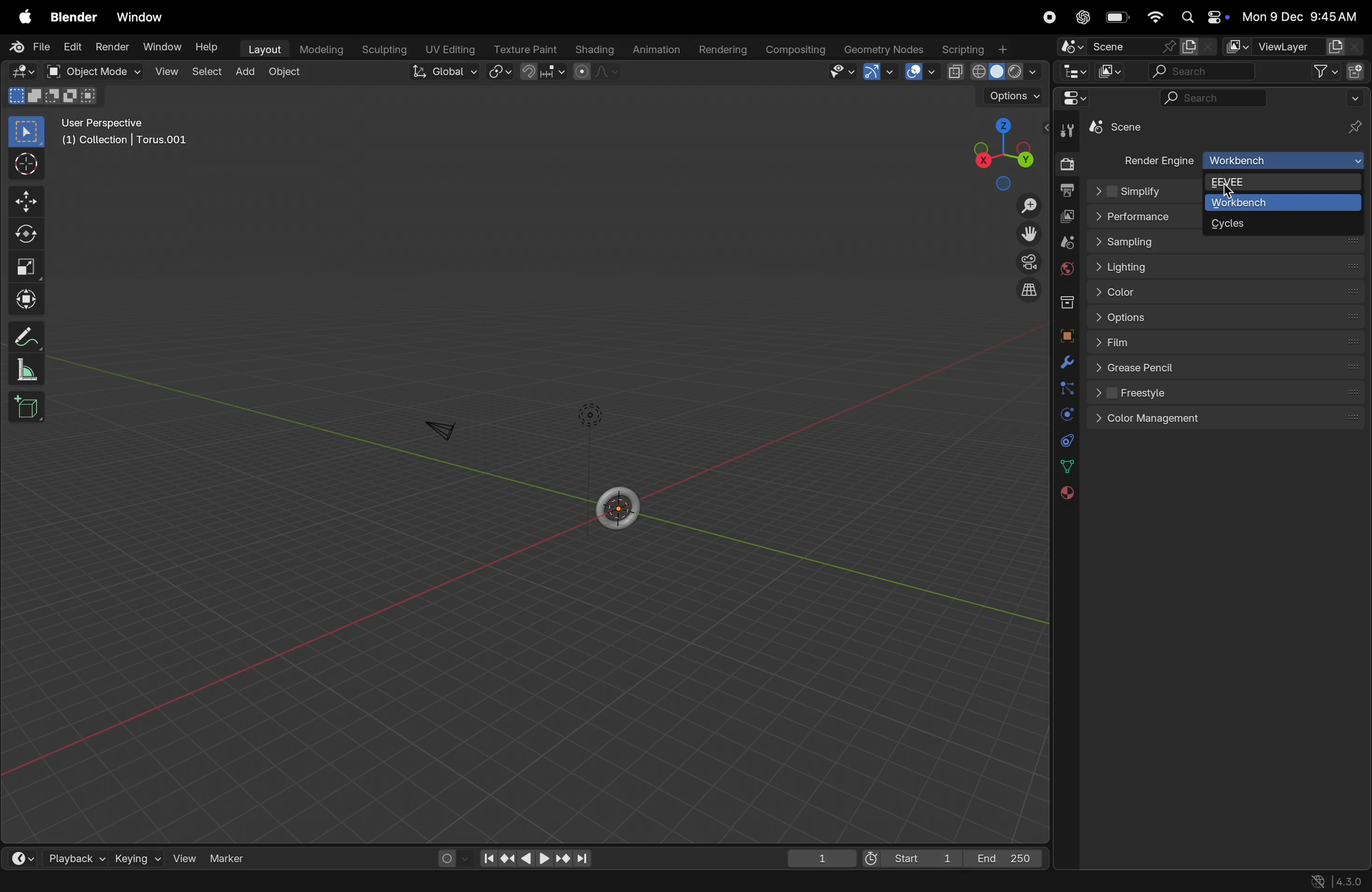 The image size is (1372, 892). What do you see at coordinates (542, 73) in the screenshot?
I see `snap` at bounding box center [542, 73].